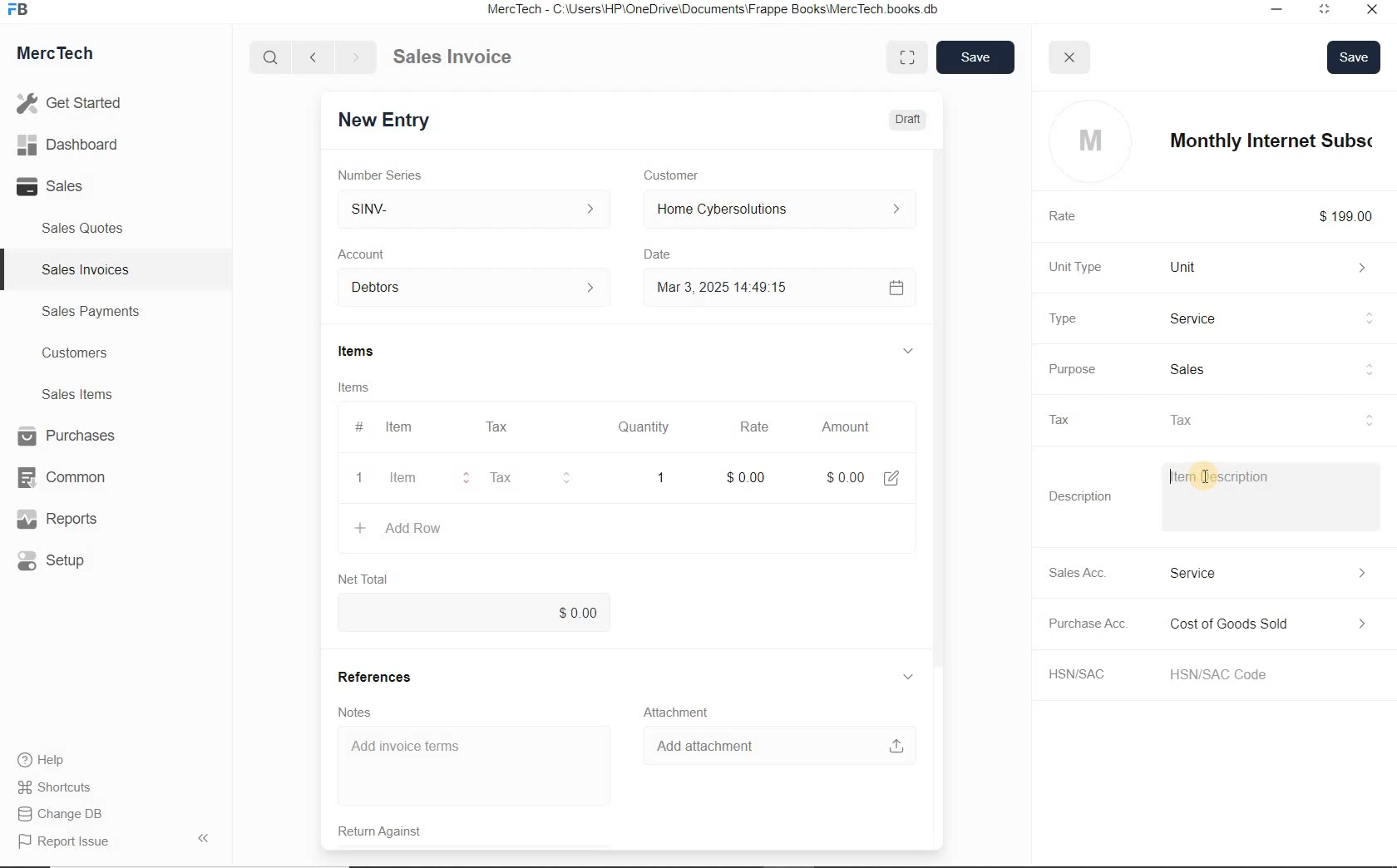 This screenshot has width=1397, height=868. Describe the element at coordinates (1261, 318) in the screenshot. I see `Product` at that location.